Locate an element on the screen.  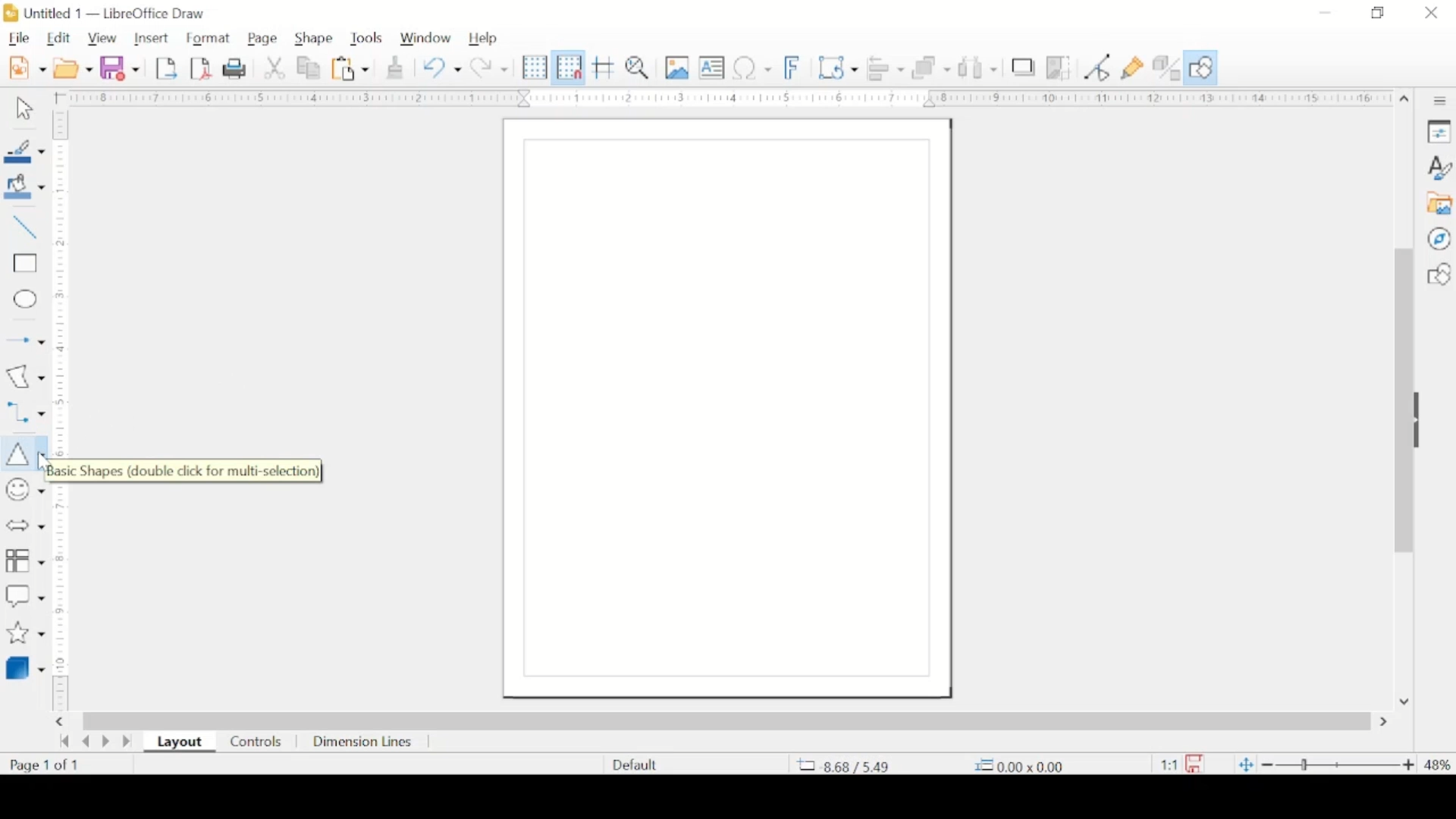
scroll down arrow is located at coordinates (1406, 701).